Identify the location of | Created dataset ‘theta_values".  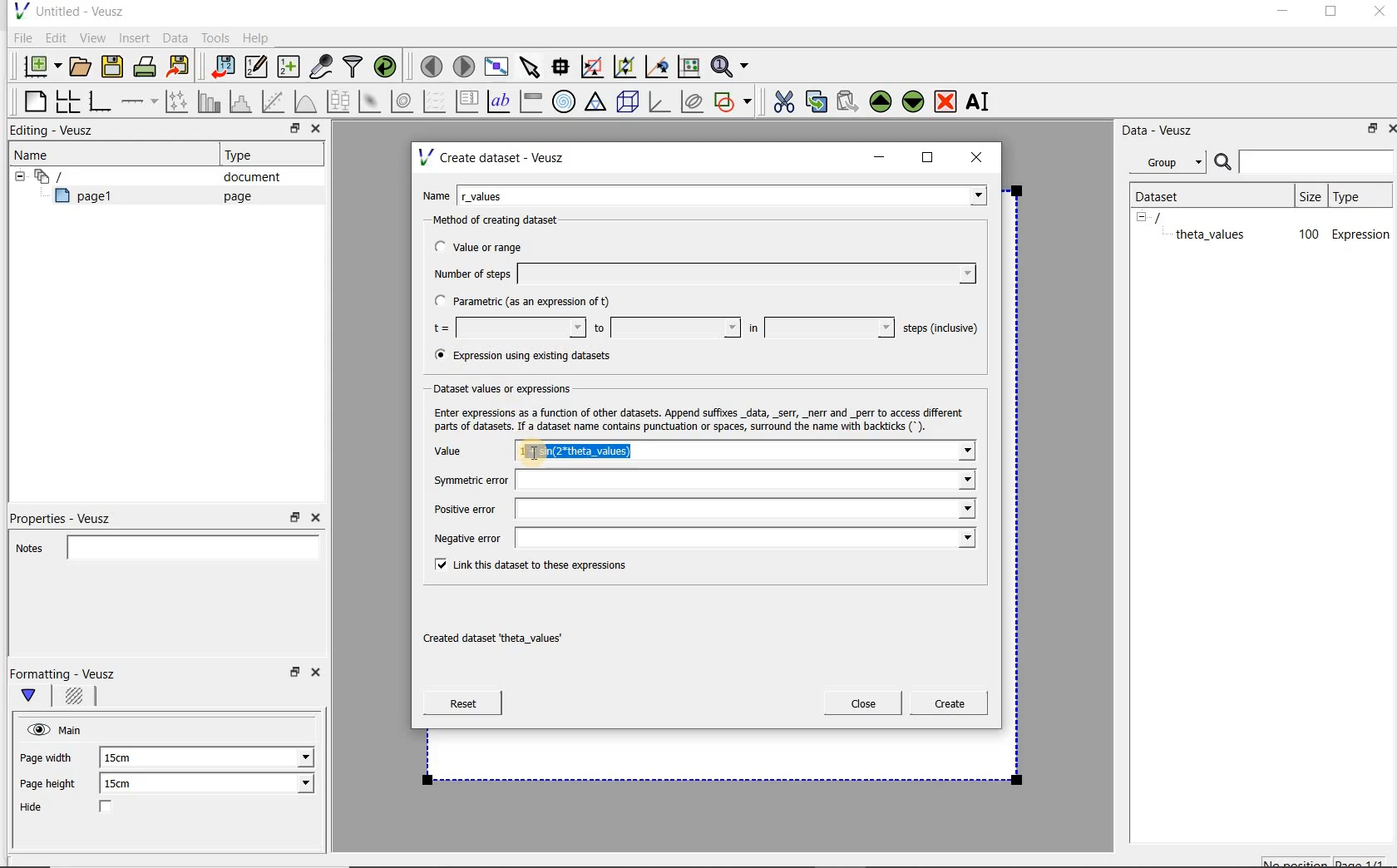
(511, 633).